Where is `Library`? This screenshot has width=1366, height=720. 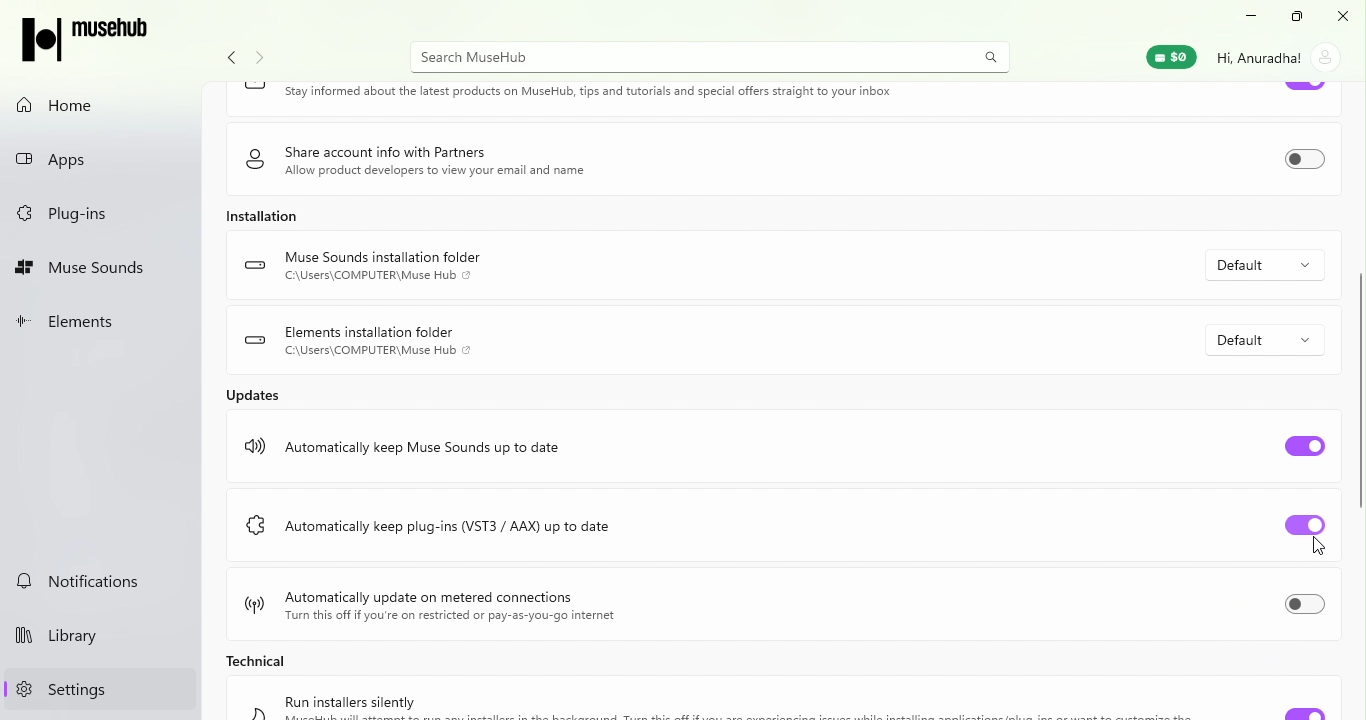
Library is located at coordinates (102, 637).